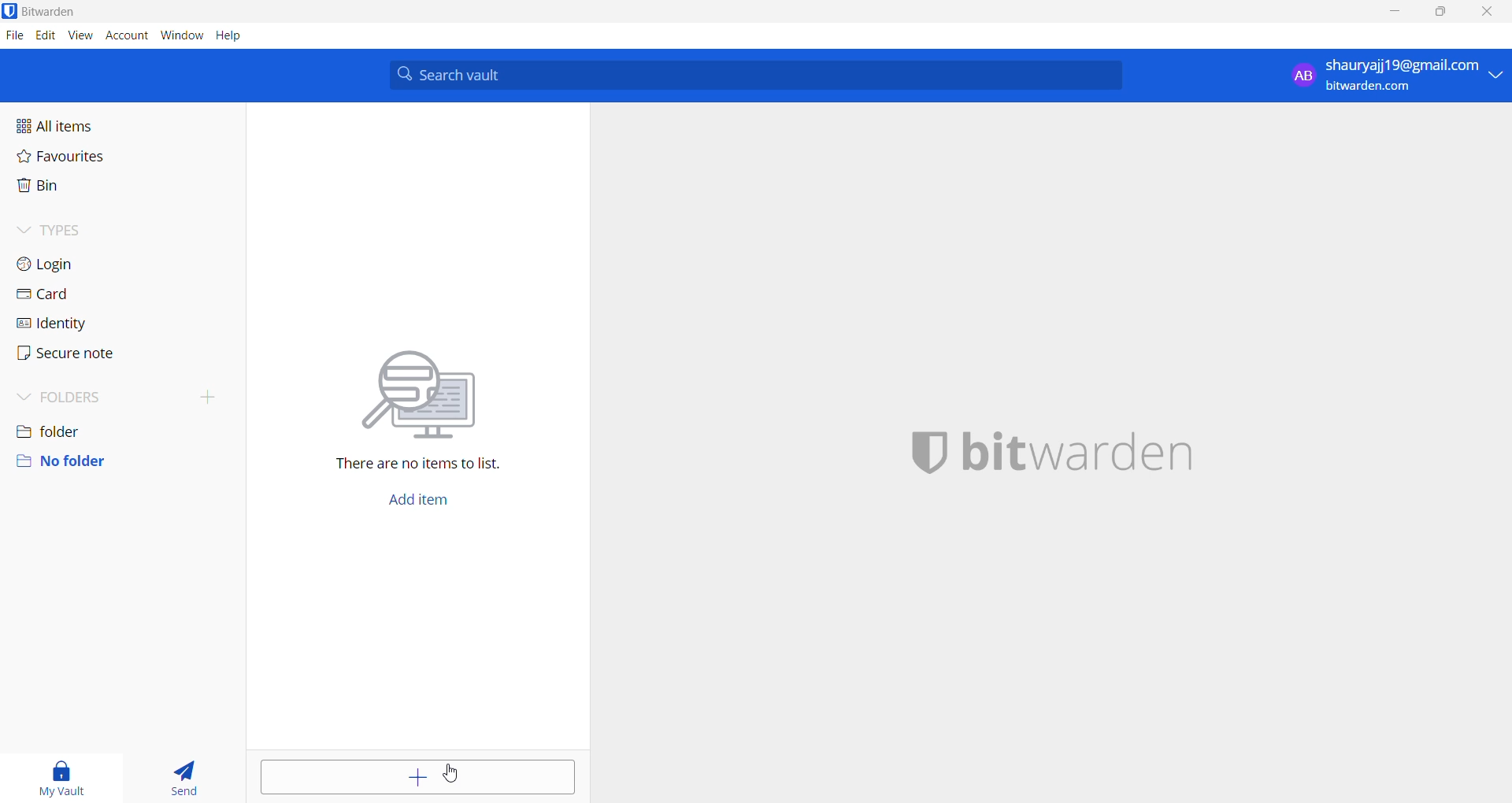  What do you see at coordinates (417, 413) in the screenshot?
I see `There are no items to list.` at bounding box center [417, 413].